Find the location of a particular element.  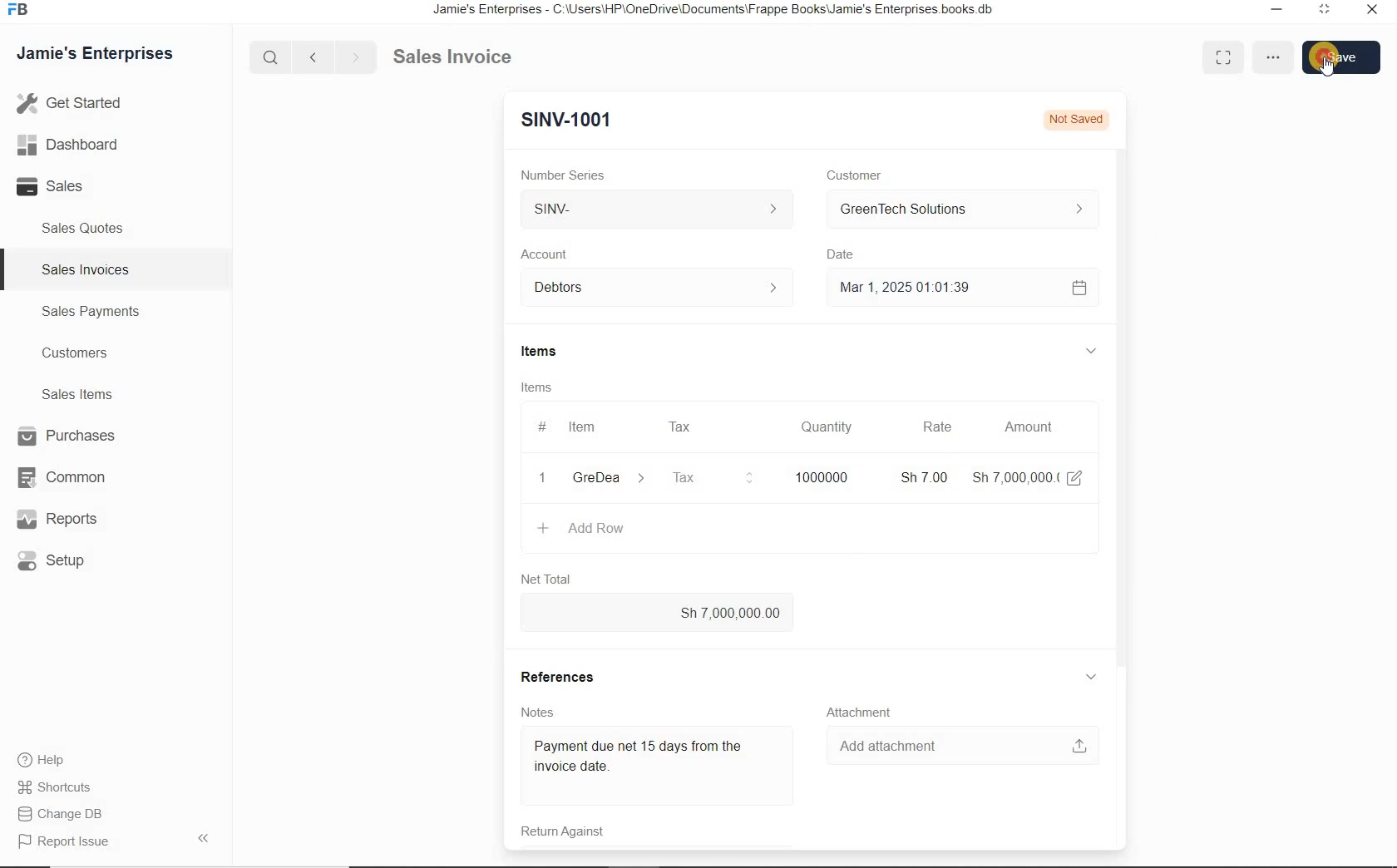

Change DB is located at coordinates (62, 813).